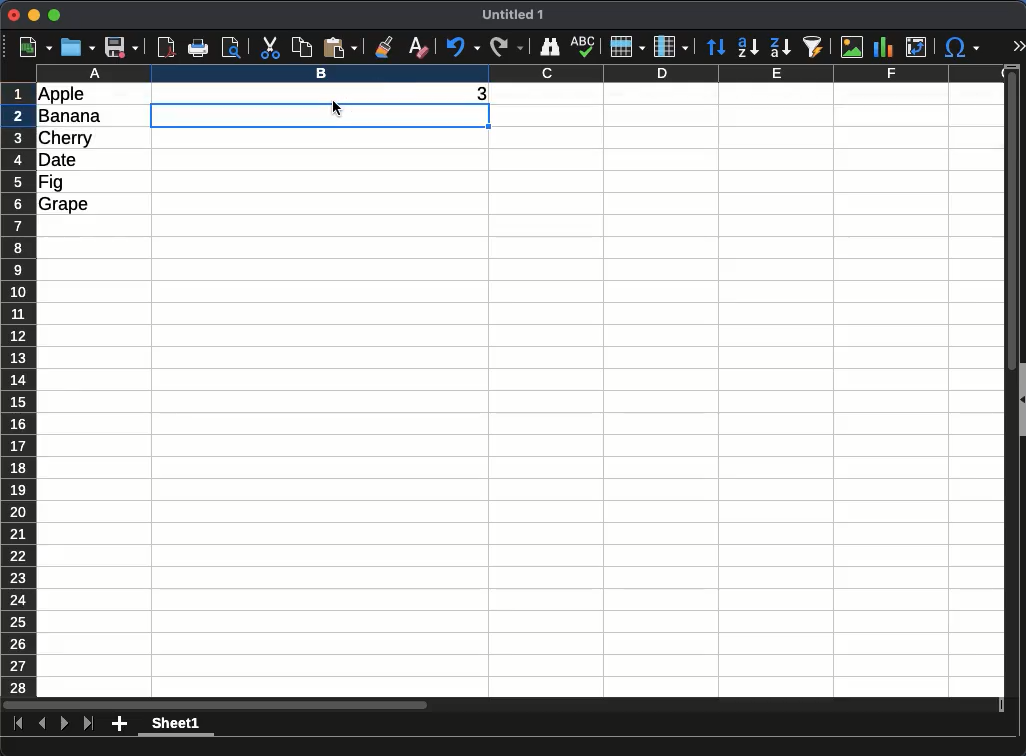 Image resolution: width=1026 pixels, height=756 pixels. What do you see at coordinates (19, 724) in the screenshot?
I see `first sheet` at bounding box center [19, 724].